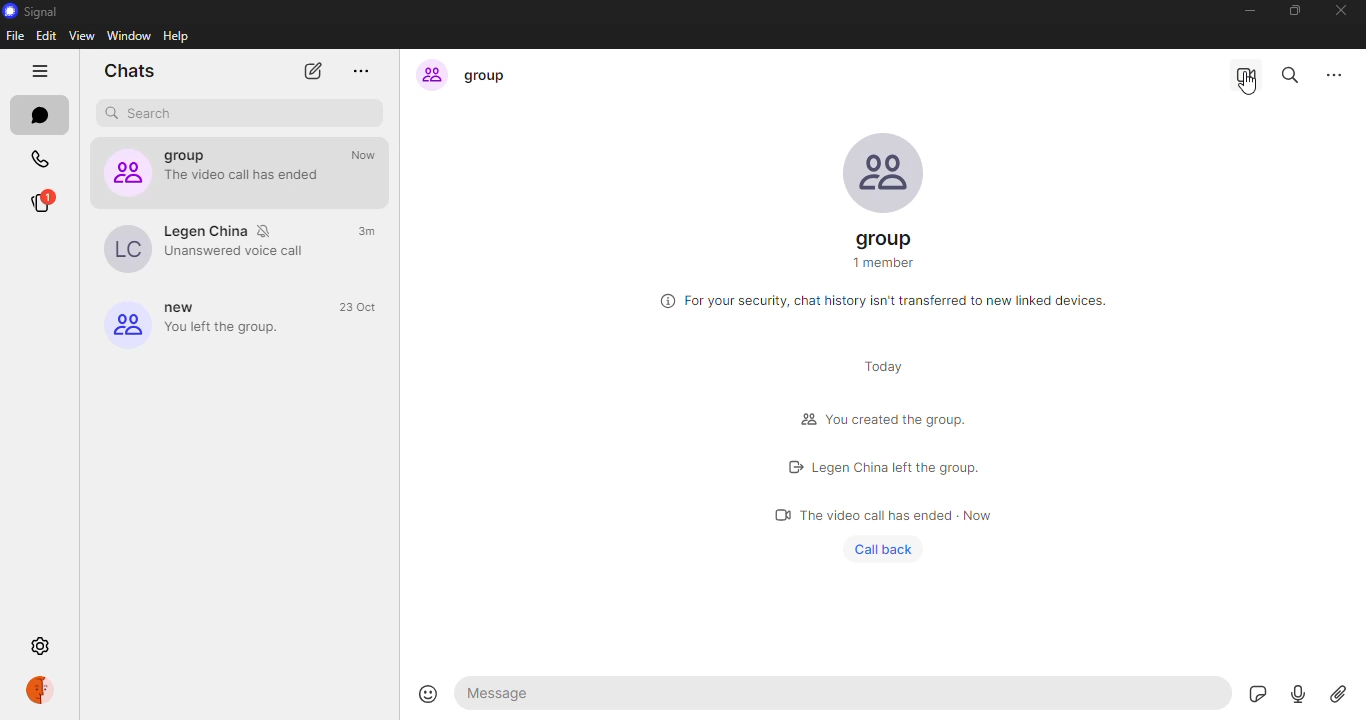 Image resolution: width=1366 pixels, height=720 pixels. I want to click on view, so click(83, 36).